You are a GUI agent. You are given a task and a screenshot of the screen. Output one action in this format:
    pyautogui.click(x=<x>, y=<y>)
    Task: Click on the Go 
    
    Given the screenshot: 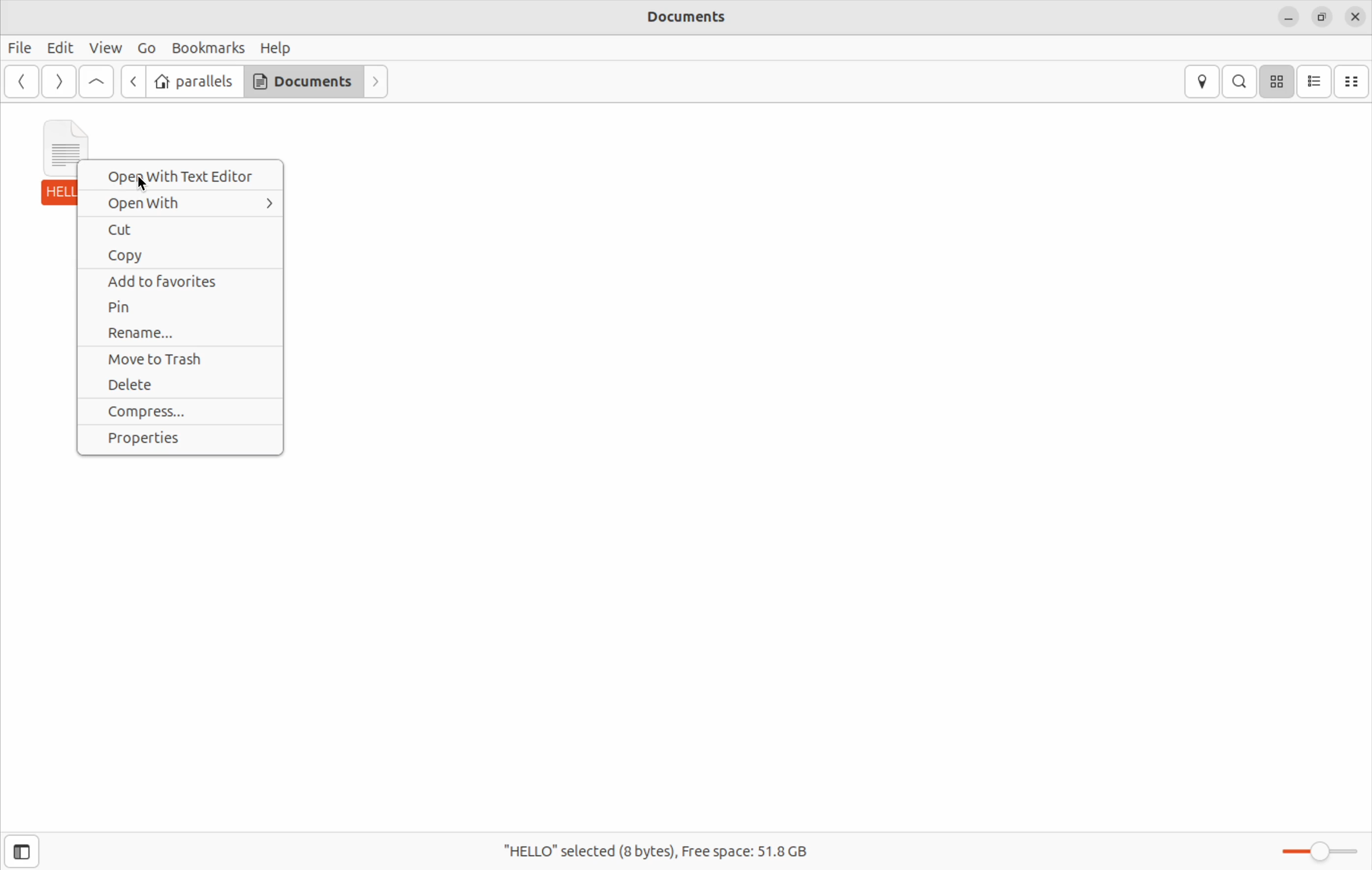 What is the action you would take?
    pyautogui.click(x=147, y=47)
    